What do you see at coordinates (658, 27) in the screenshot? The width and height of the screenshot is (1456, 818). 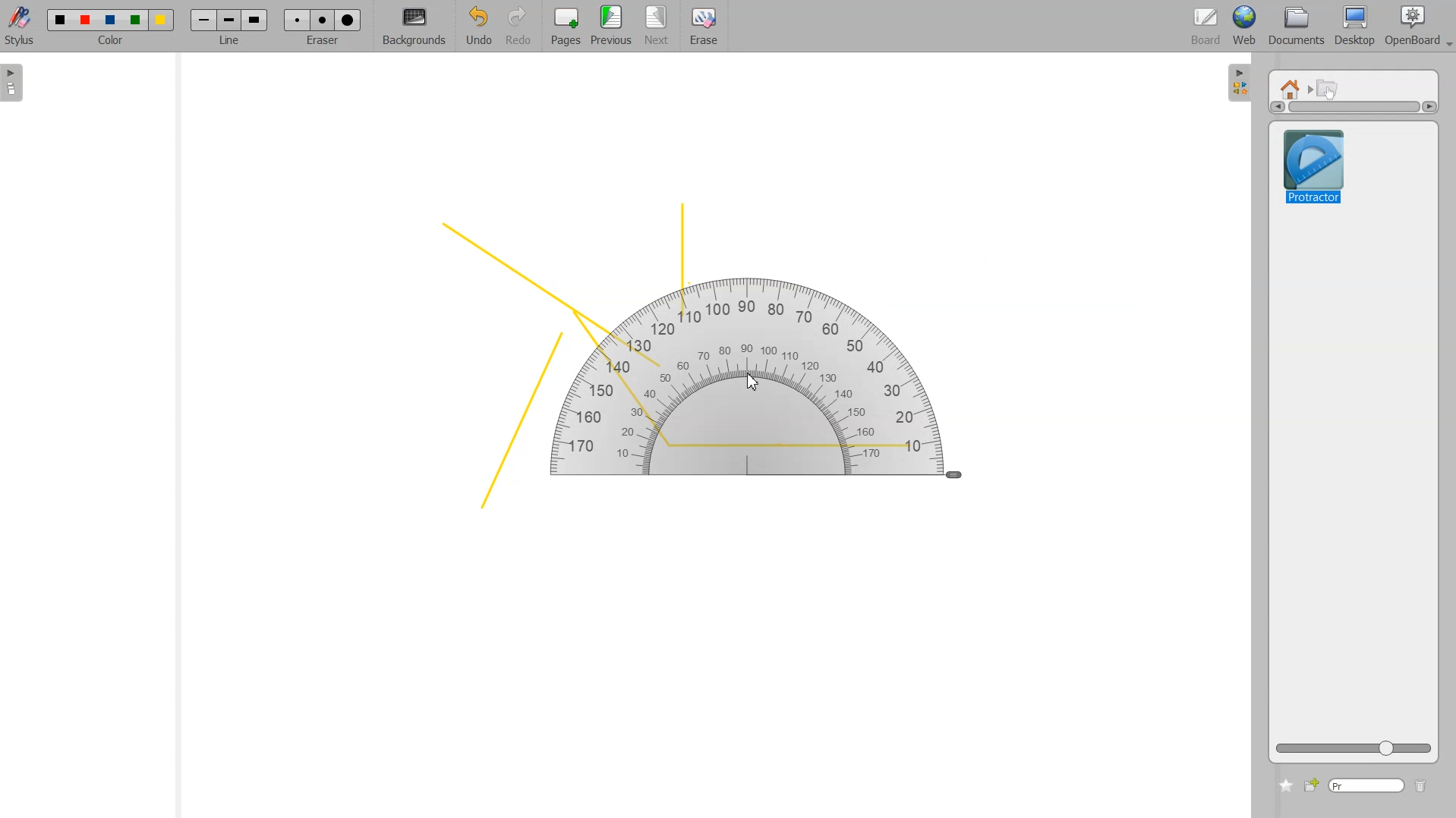 I see `Next` at bounding box center [658, 27].